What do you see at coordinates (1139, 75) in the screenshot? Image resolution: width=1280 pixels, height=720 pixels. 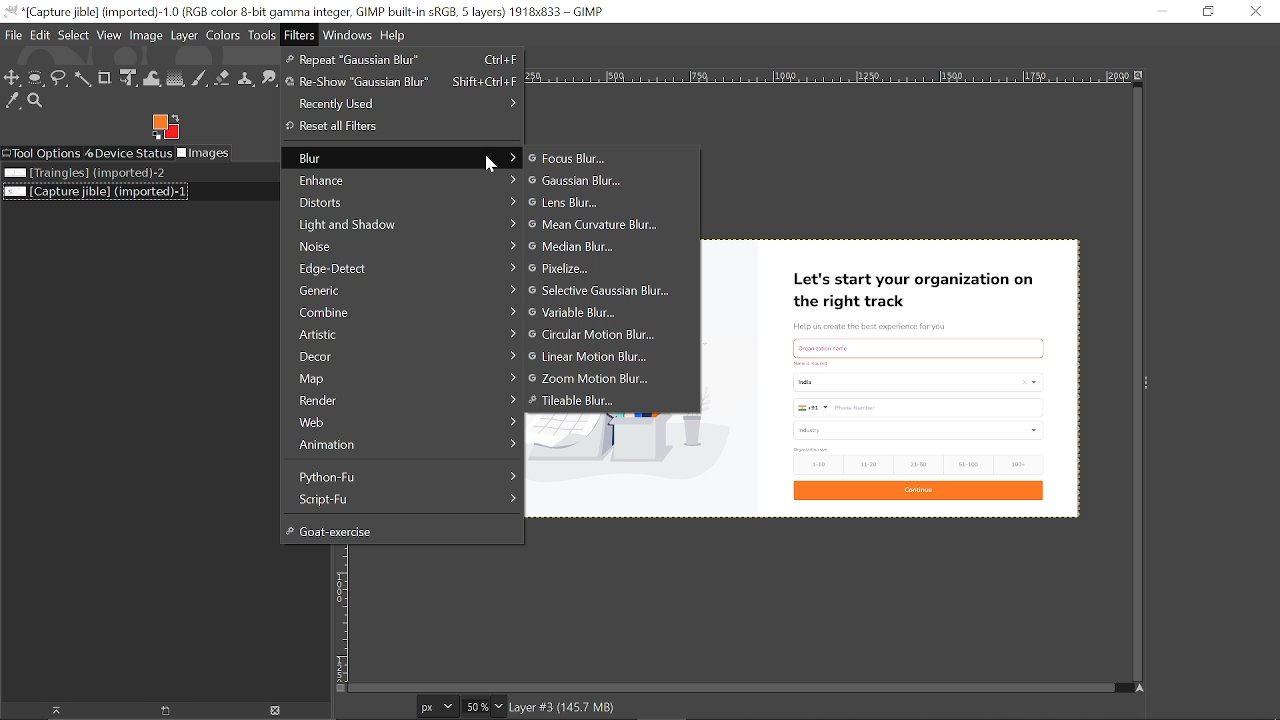 I see `Zoon image when window size changes` at bounding box center [1139, 75].